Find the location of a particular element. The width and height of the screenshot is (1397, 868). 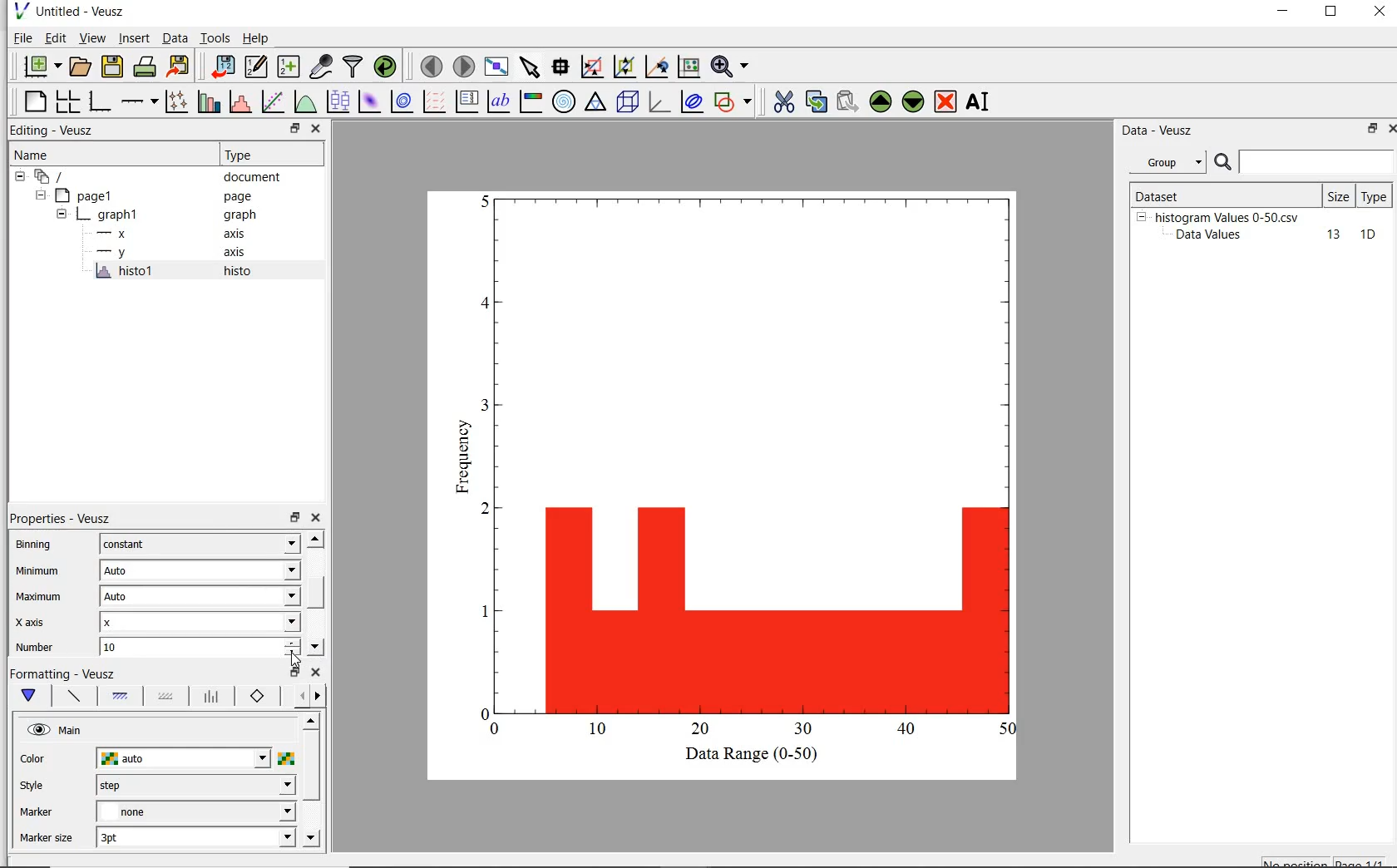

edit is located at coordinates (56, 37).